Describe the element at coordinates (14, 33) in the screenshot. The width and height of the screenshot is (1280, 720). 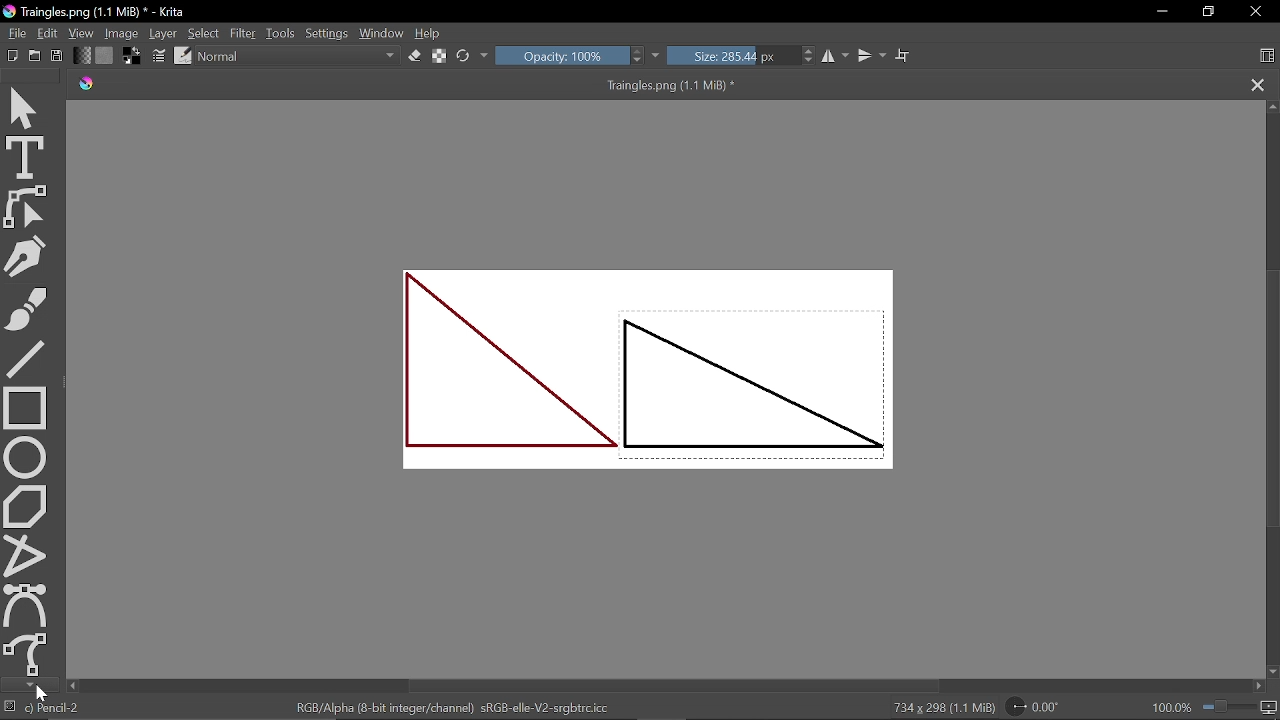
I see `File` at that location.